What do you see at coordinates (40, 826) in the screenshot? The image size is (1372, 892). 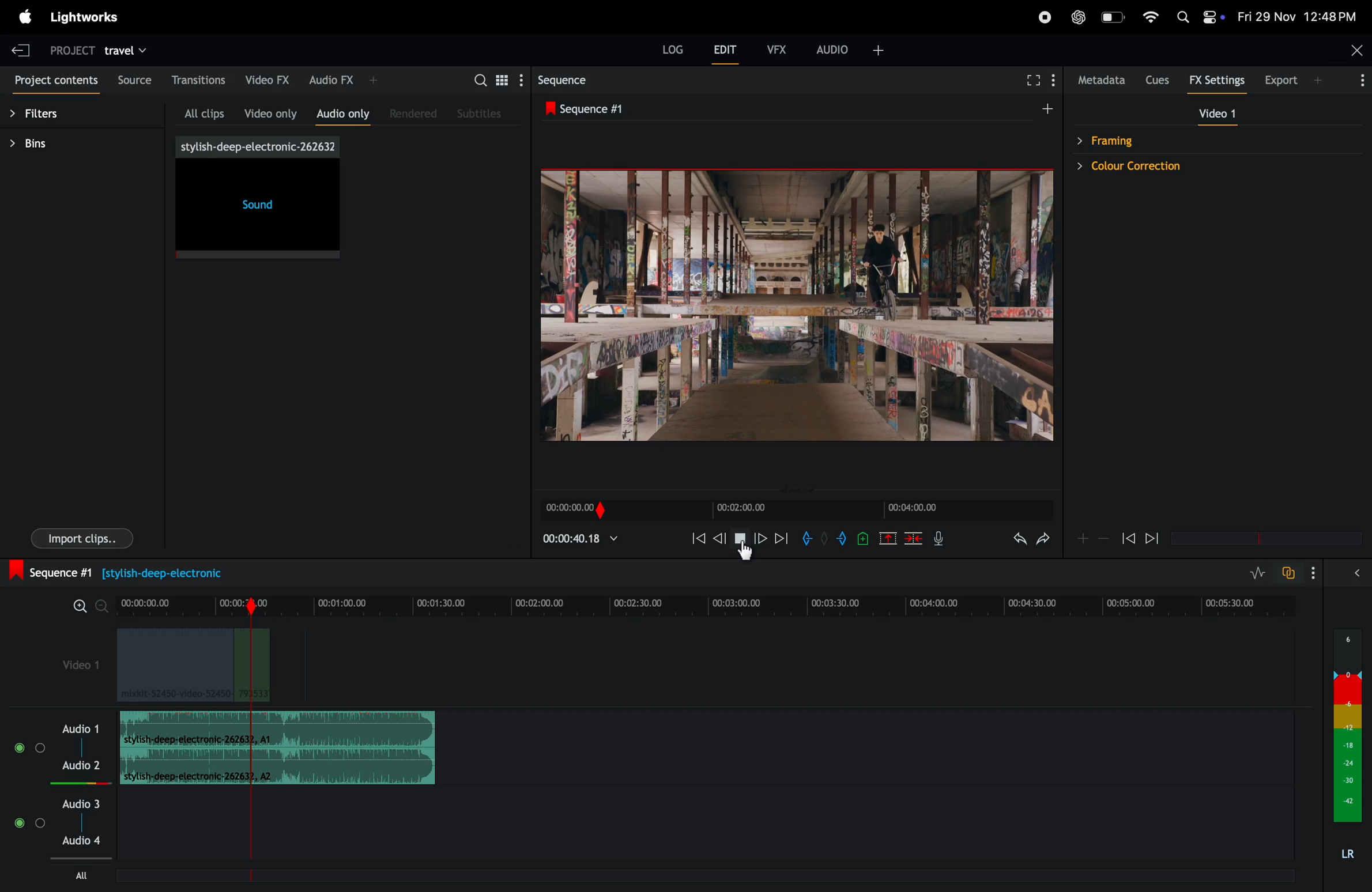 I see `Toggle` at bounding box center [40, 826].